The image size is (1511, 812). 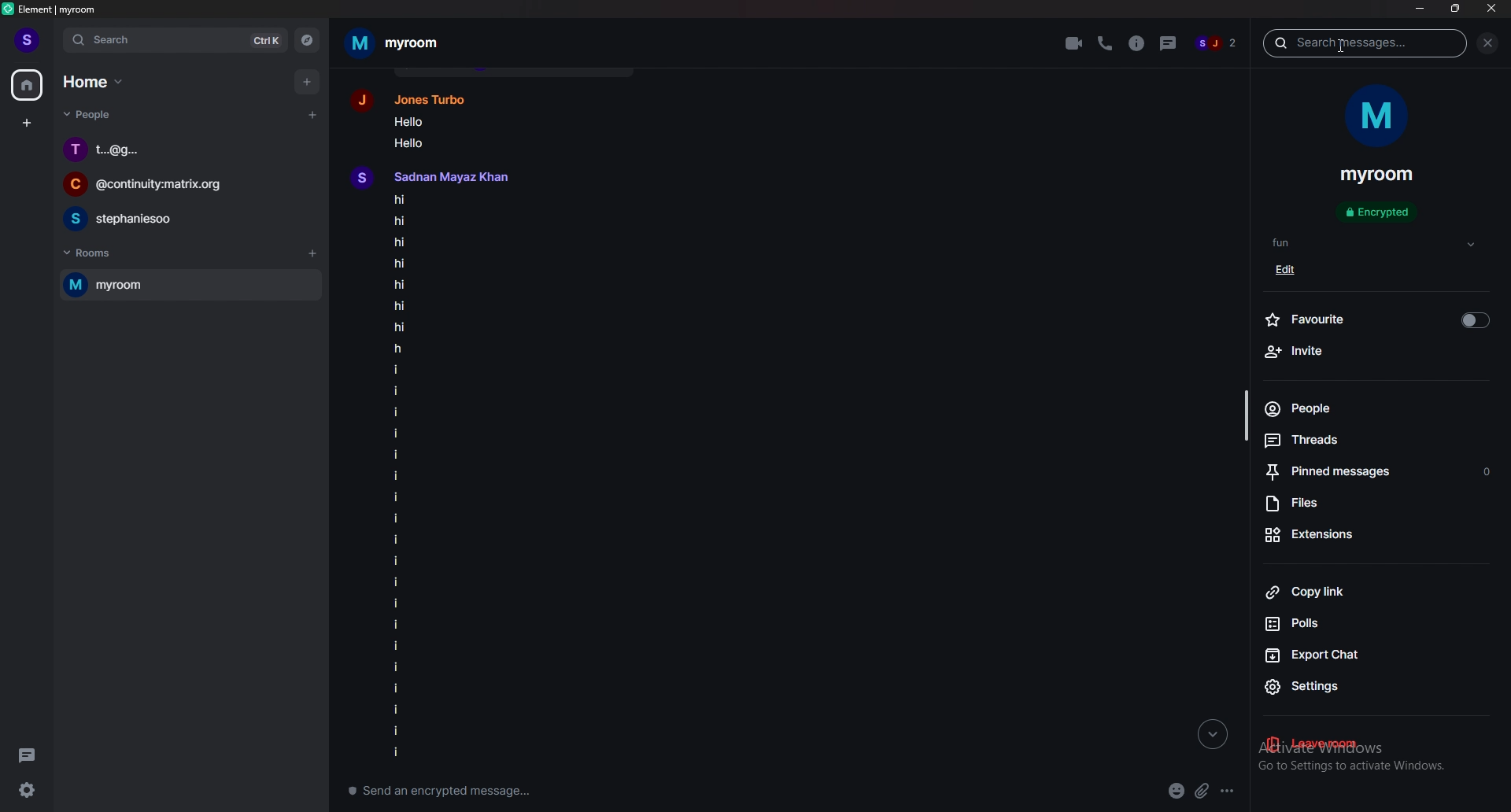 I want to click on files, so click(x=1365, y=504).